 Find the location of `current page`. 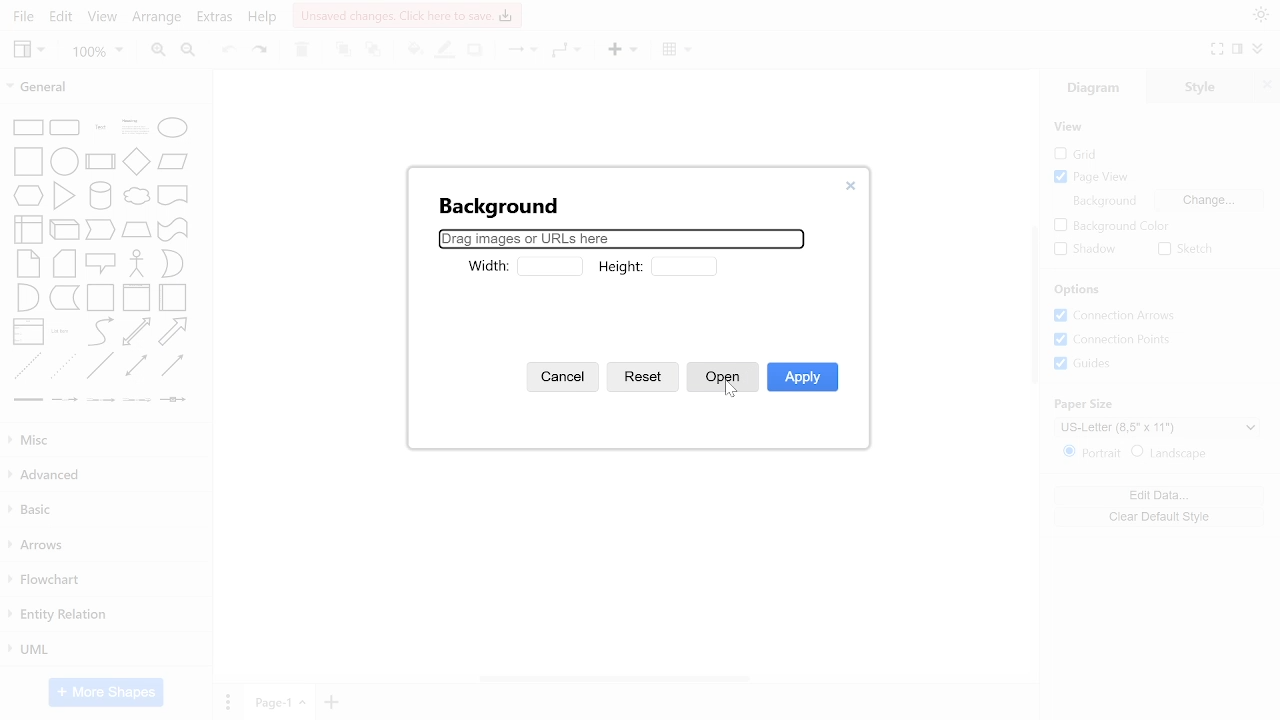

current page is located at coordinates (278, 702).